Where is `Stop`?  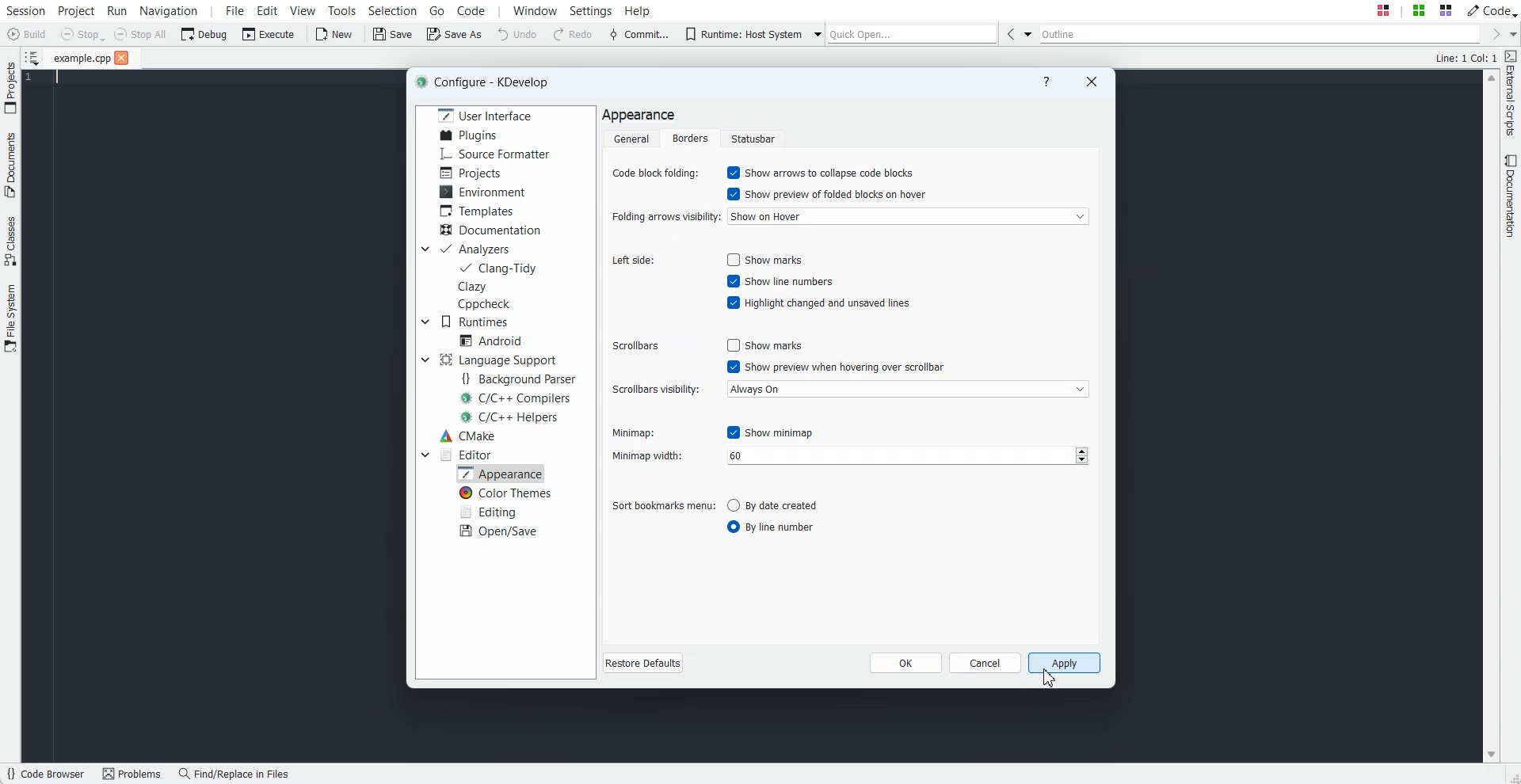
Stop is located at coordinates (82, 35).